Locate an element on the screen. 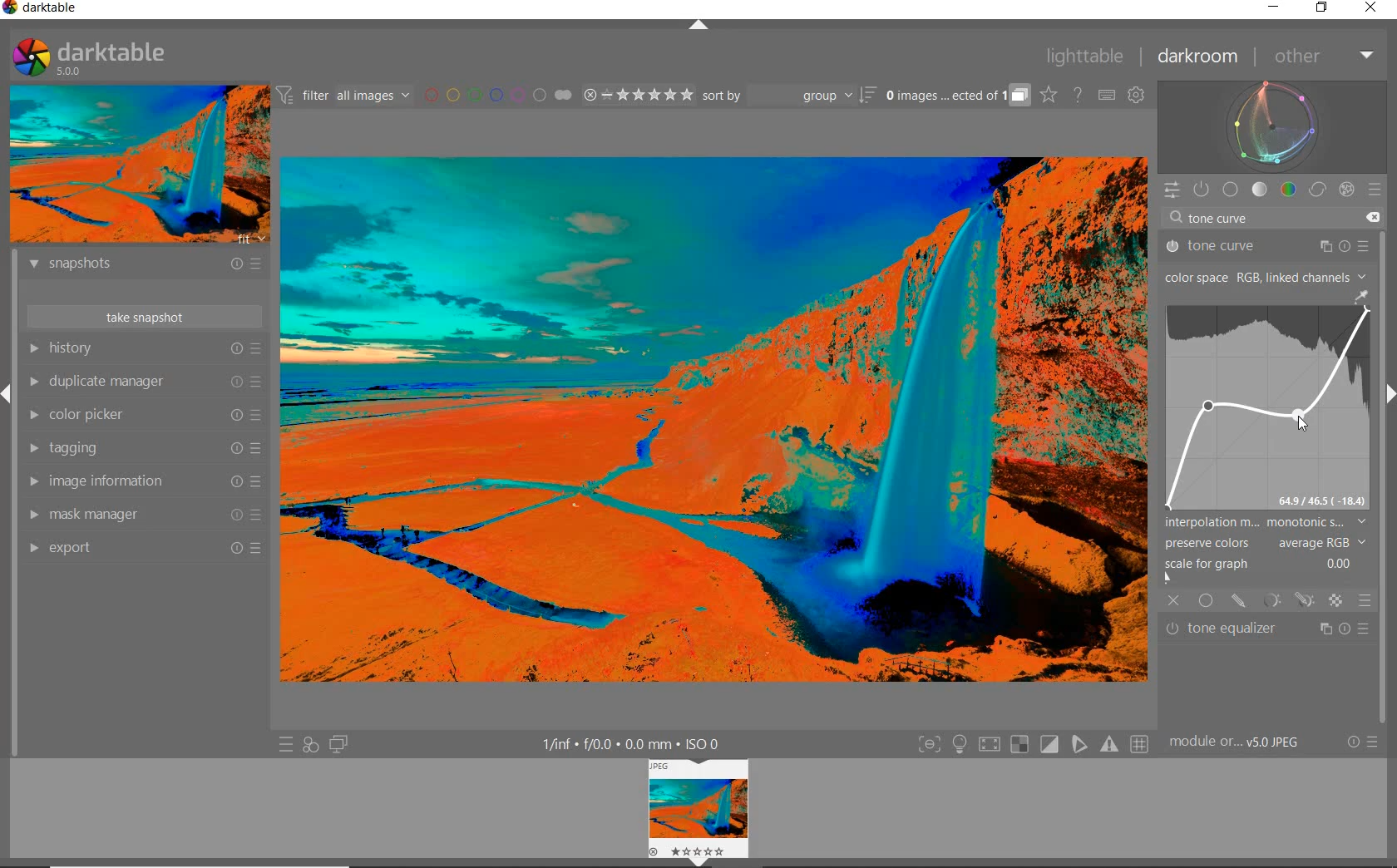  Tone curve is located at coordinates (1230, 419).